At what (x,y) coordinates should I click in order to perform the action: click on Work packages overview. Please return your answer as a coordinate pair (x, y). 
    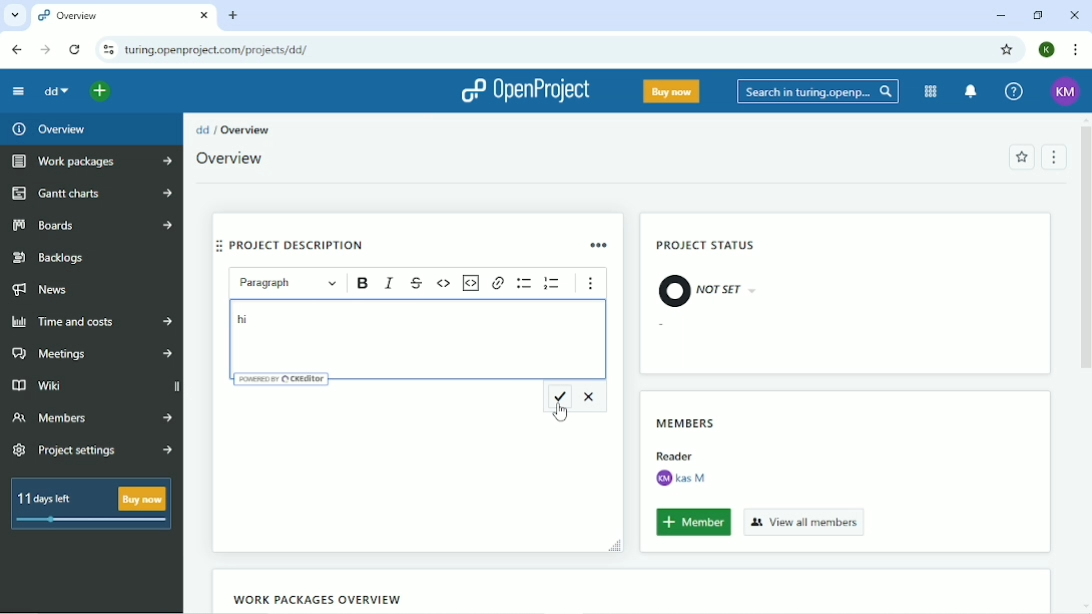
    Looking at the image, I should click on (313, 599).